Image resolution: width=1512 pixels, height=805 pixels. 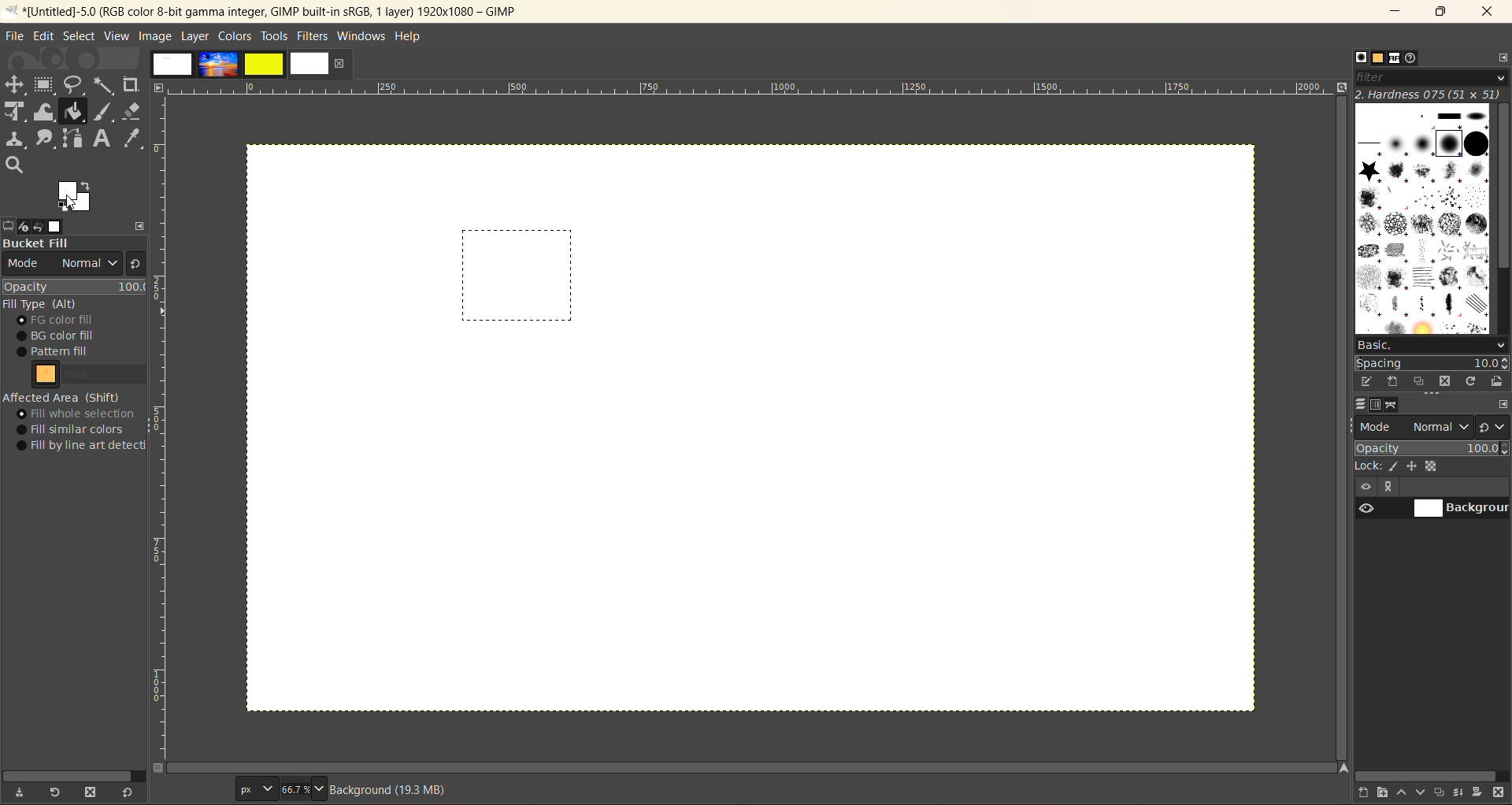 What do you see at coordinates (94, 790) in the screenshot?
I see `delete tool preset` at bounding box center [94, 790].